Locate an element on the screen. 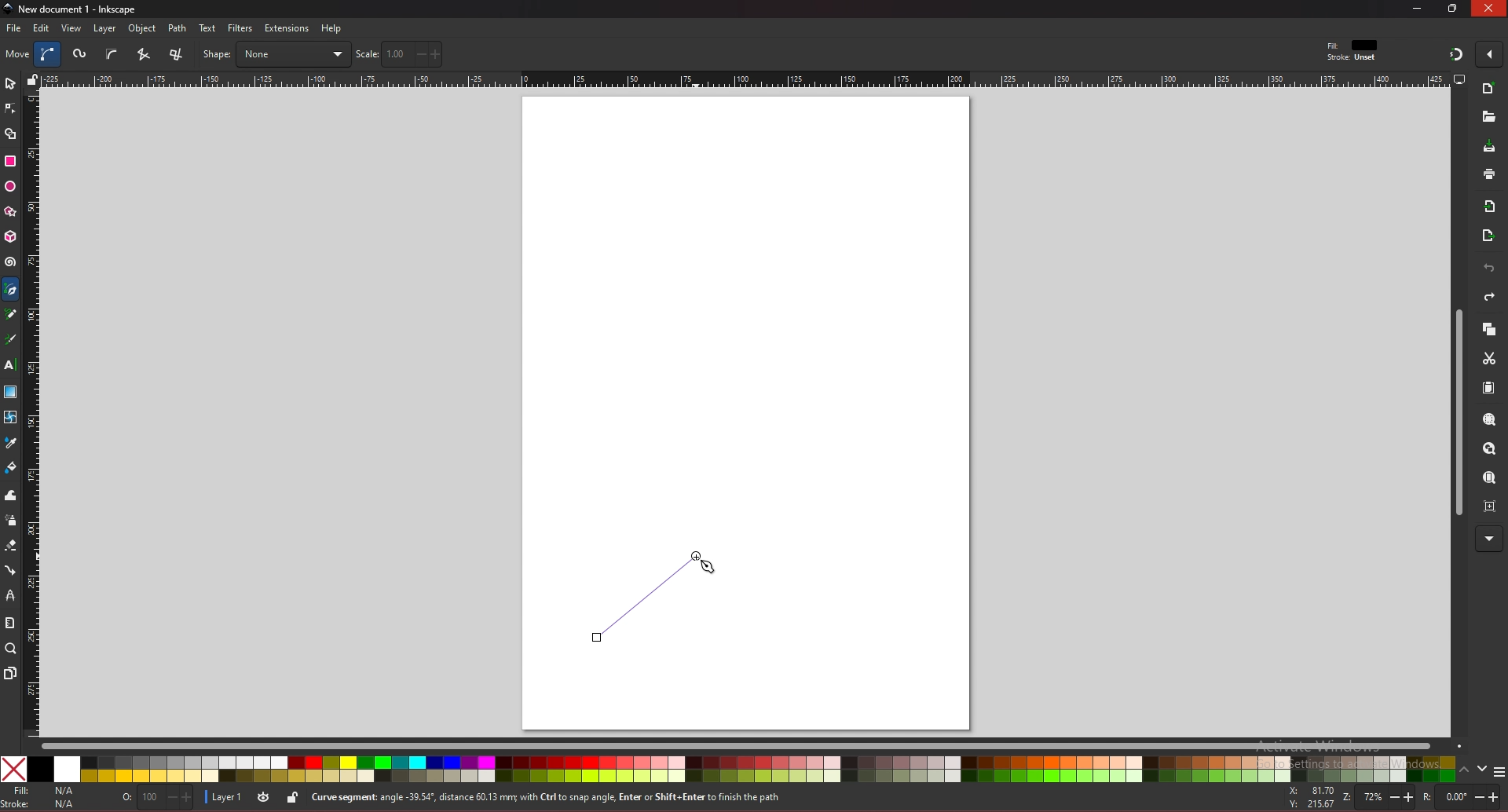  spiro path is located at coordinates (81, 55).